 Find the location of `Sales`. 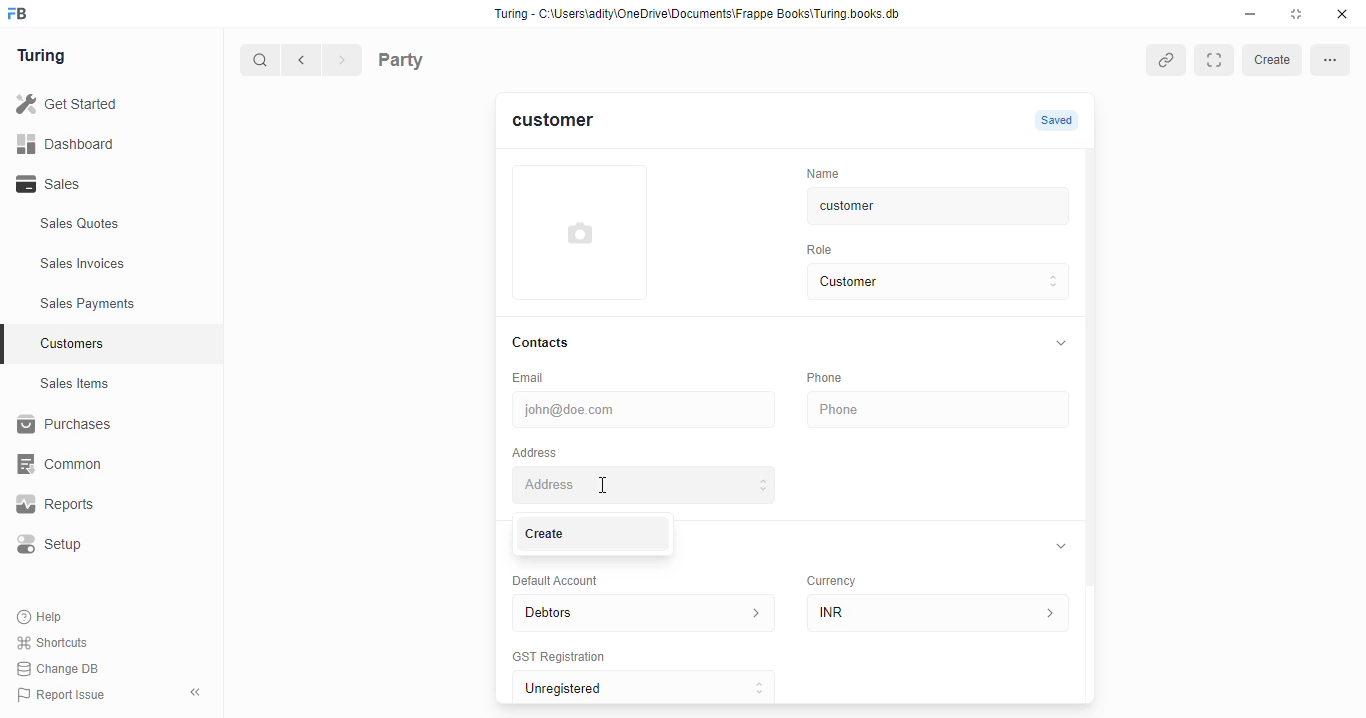

Sales is located at coordinates (98, 184).